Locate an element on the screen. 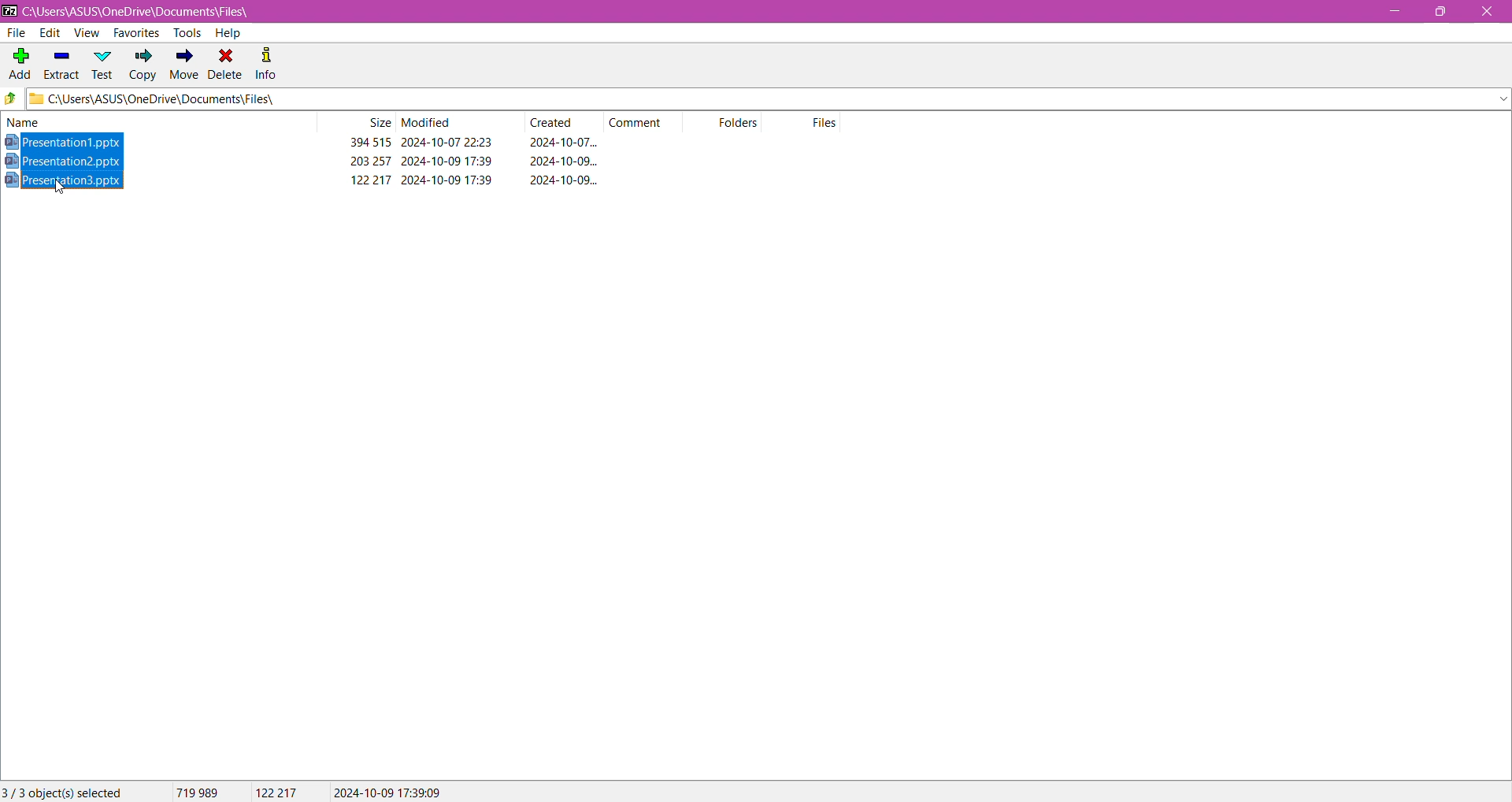 The width and height of the screenshot is (1512, 802). Test is located at coordinates (103, 64).